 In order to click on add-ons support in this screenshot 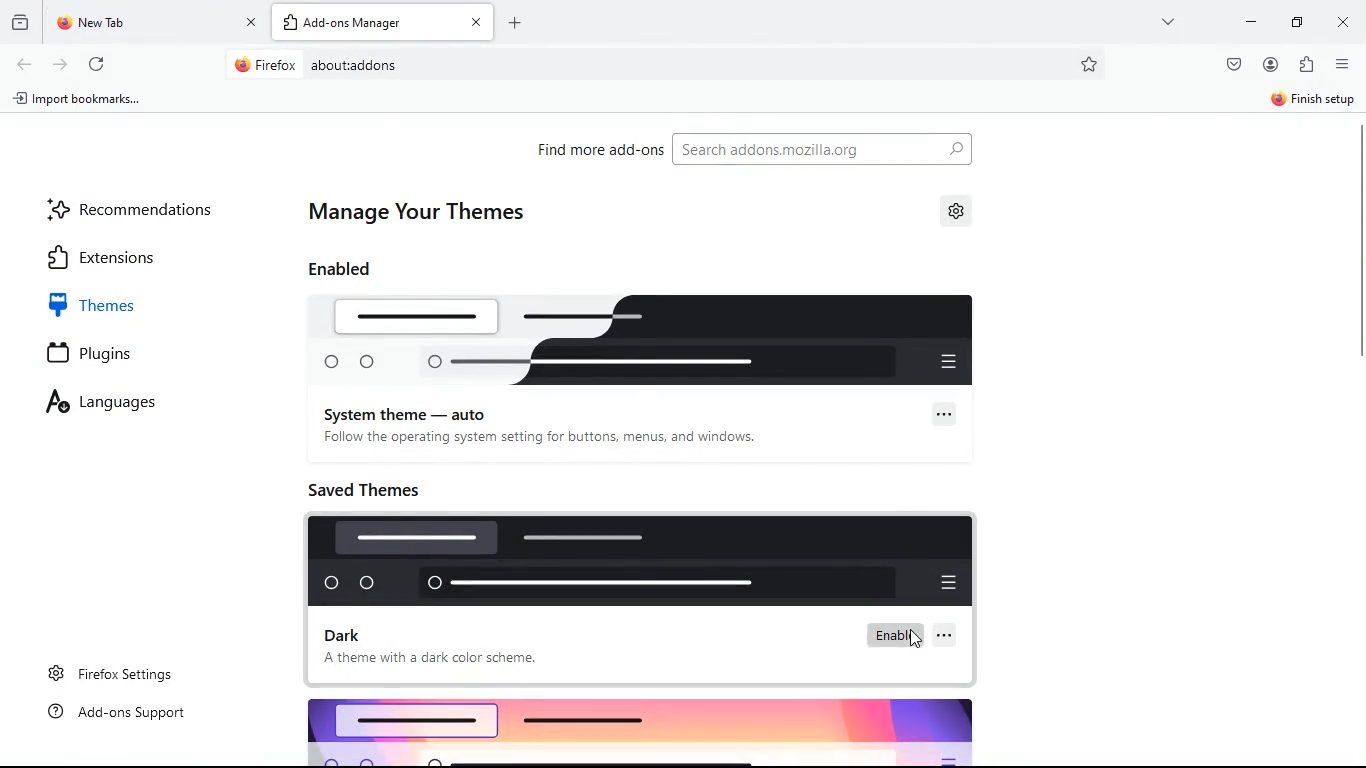, I will do `click(127, 714)`.